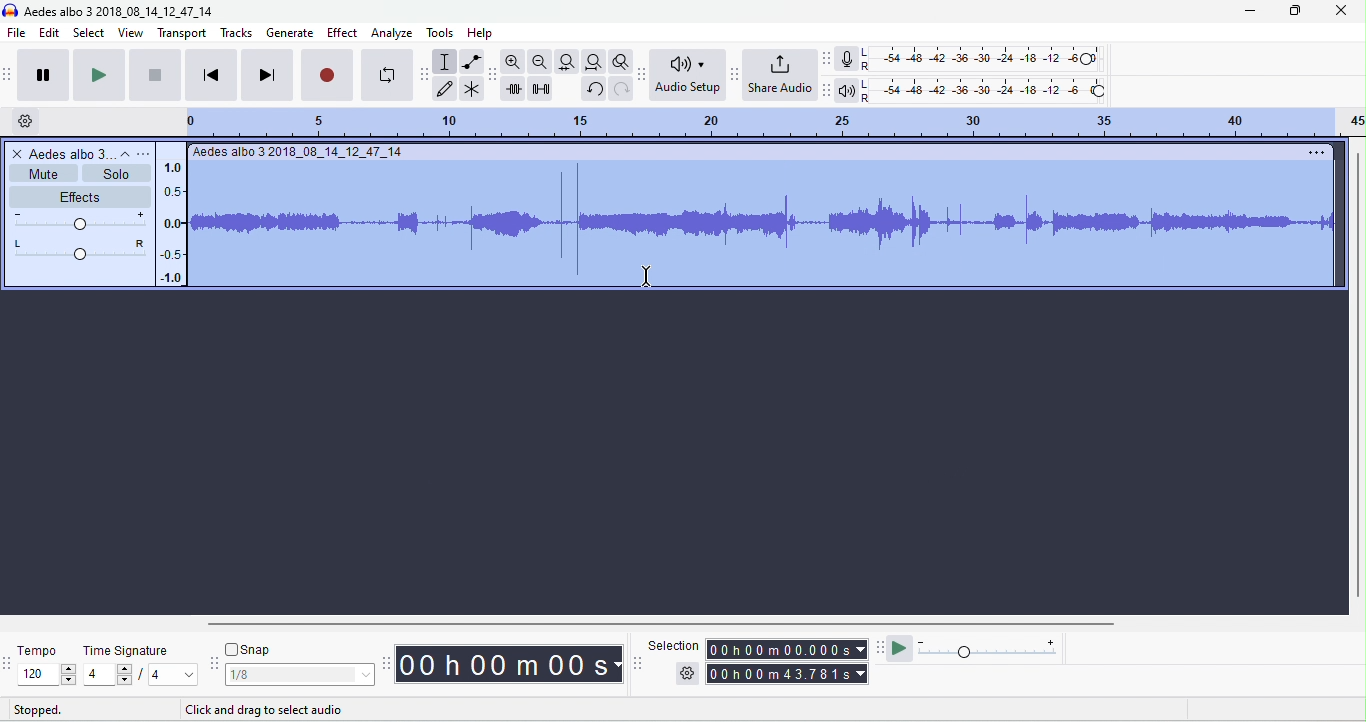  Describe the element at coordinates (735, 74) in the screenshot. I see `share audio toolbar` at that location.